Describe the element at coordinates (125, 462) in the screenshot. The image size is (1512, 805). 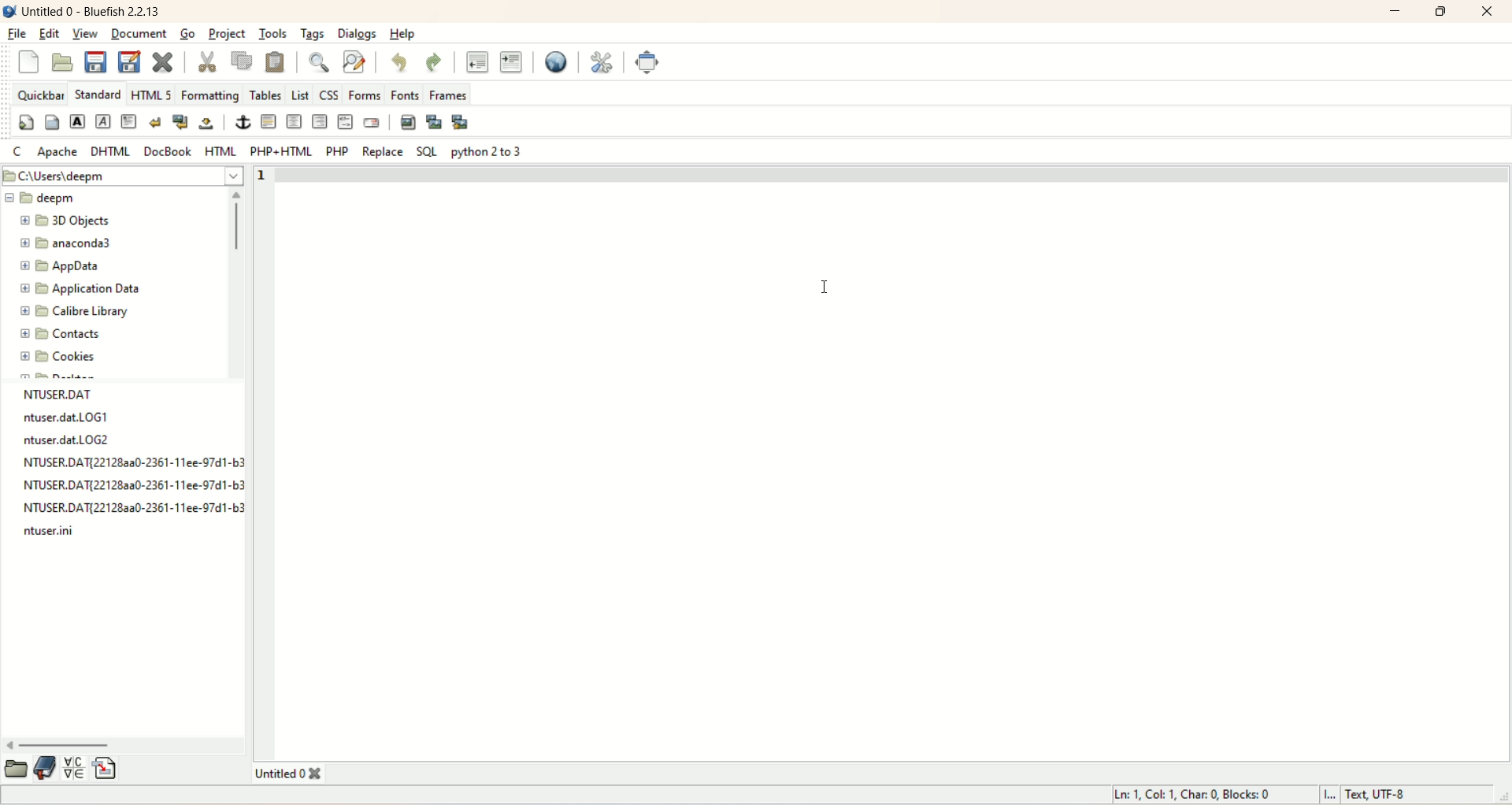
I see `file` at that location.